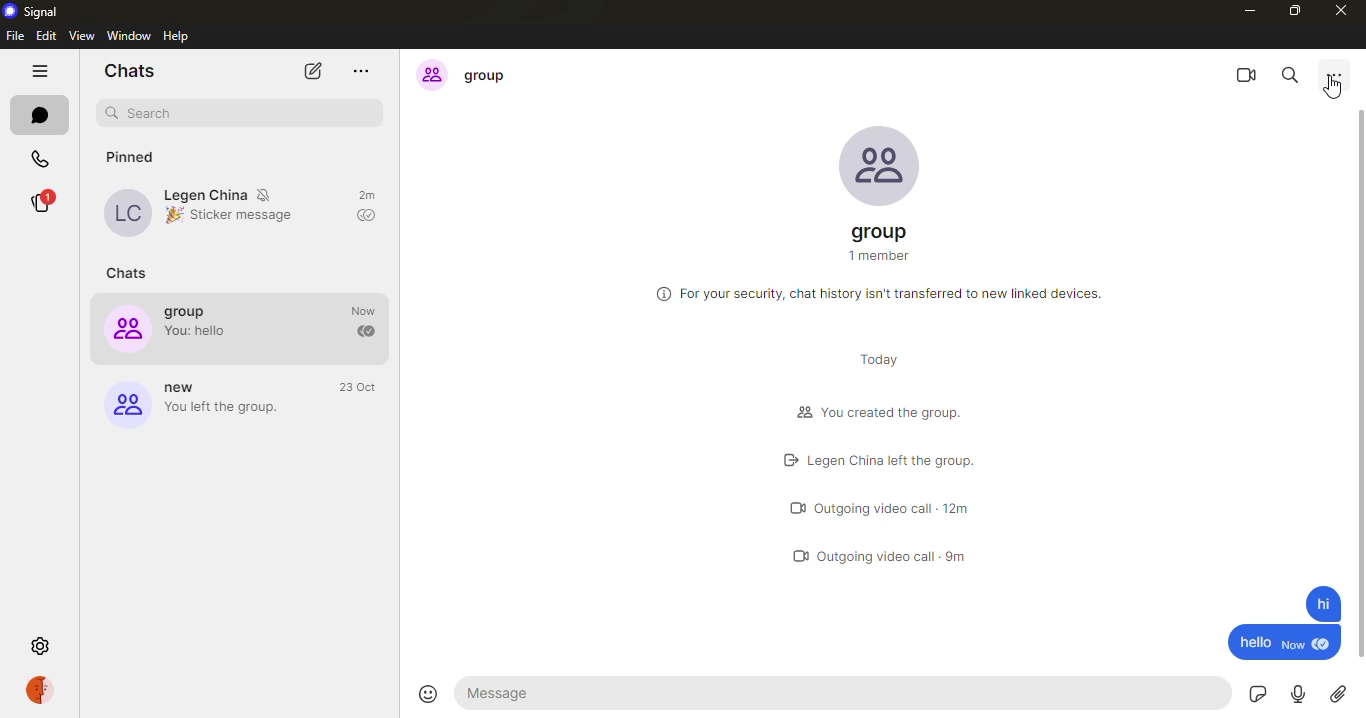  Describe the element at coordinates (1337, 695) in the screenshot. I see `attach` at that location.